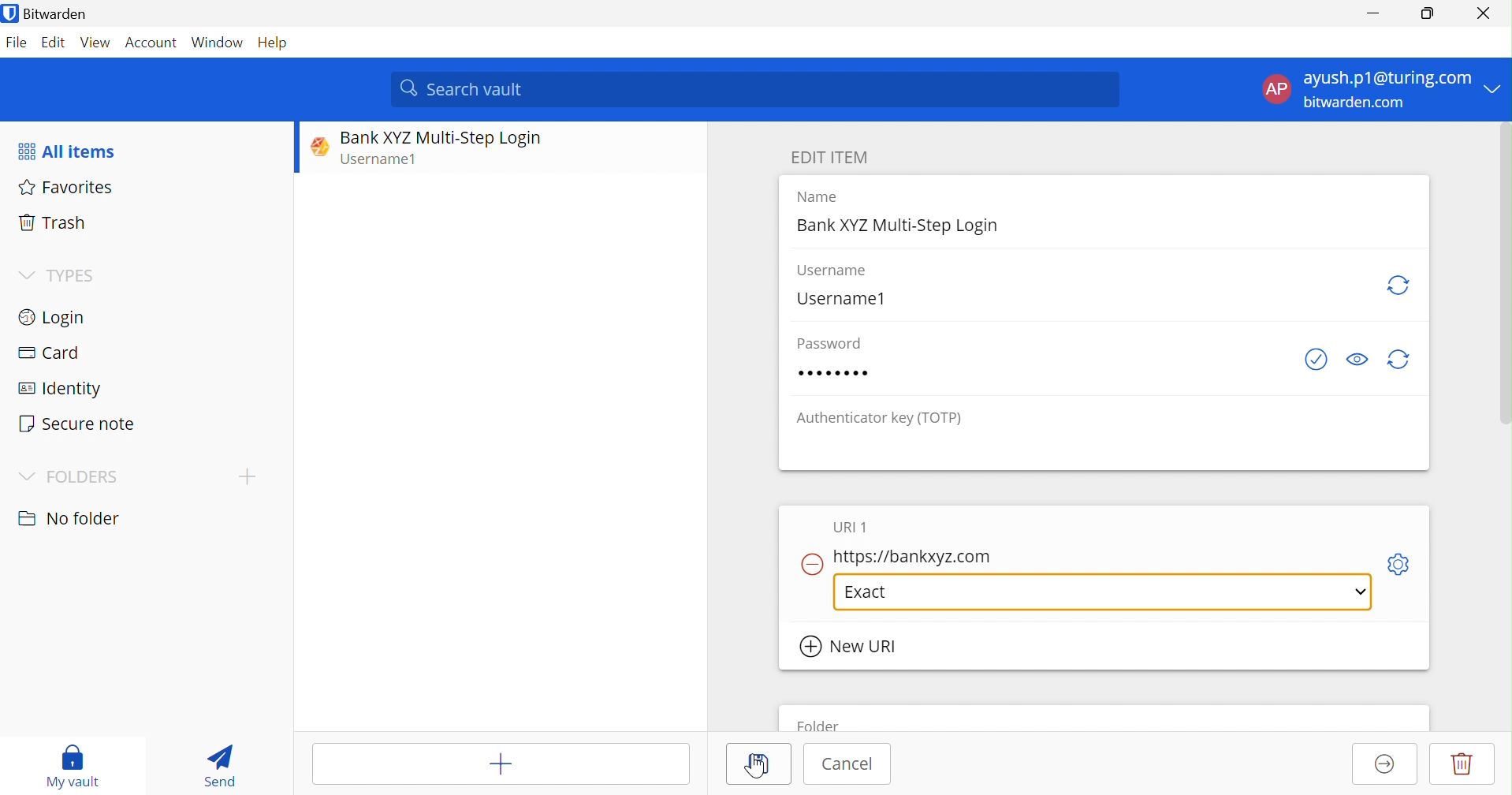 This screenshot has height=795, width=1512. Describe the element at coordinates (73, 519) in the screenshot. I see `No folder` at that location.